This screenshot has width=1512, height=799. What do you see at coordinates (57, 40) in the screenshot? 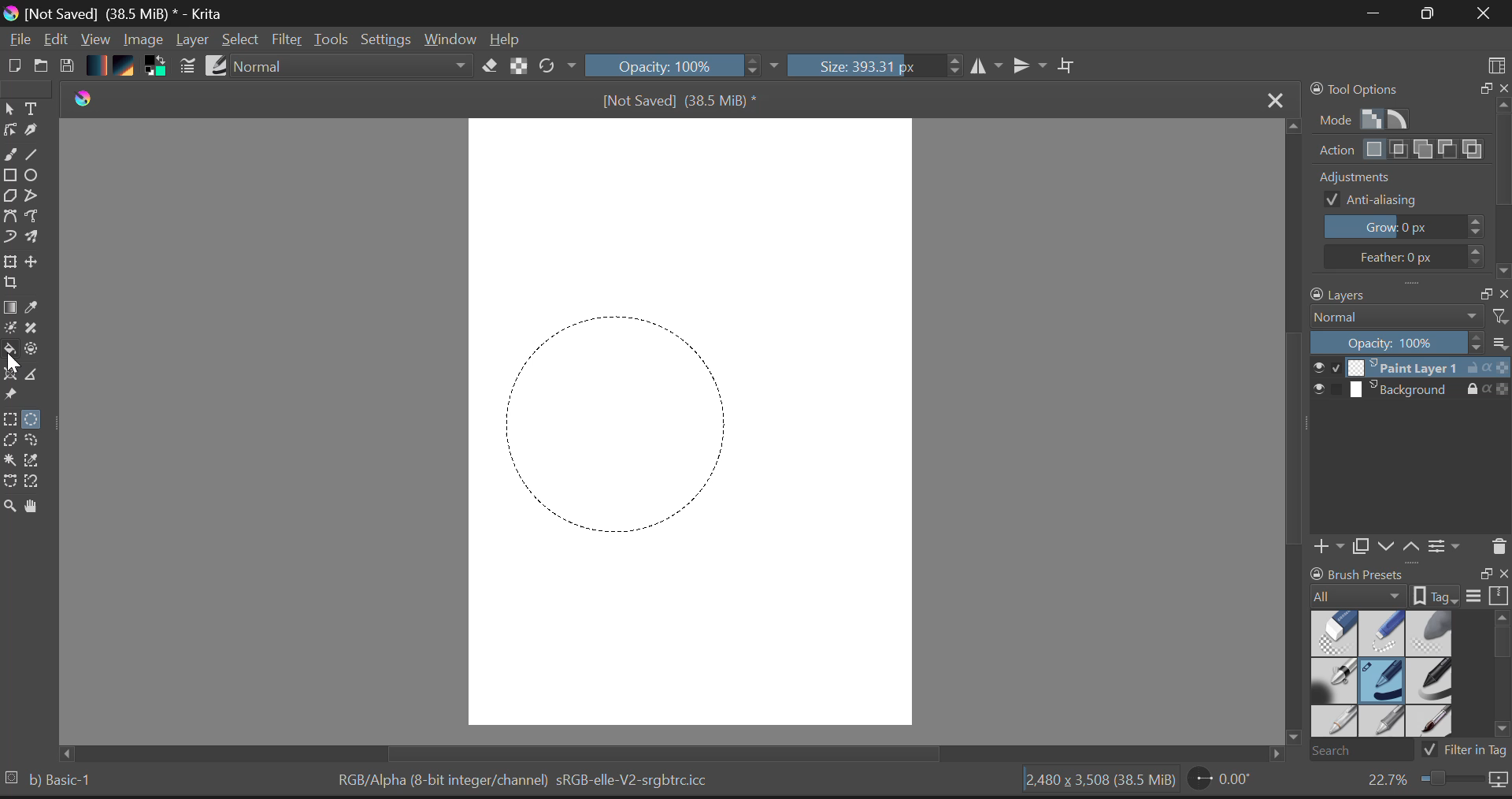
I see `Edit` at bounding box center [57, 40].